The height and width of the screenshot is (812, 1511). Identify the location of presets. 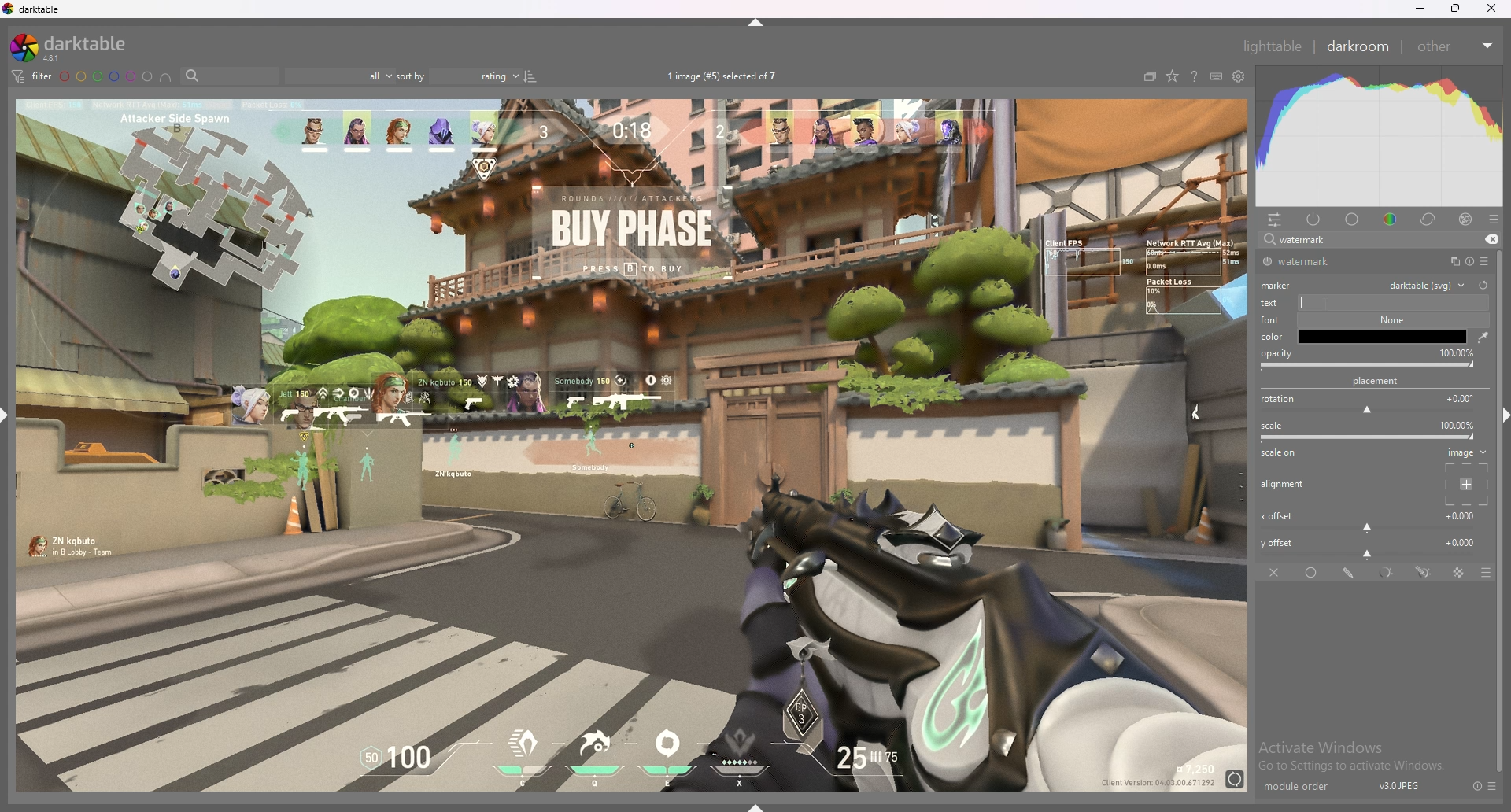
(1484, 261).